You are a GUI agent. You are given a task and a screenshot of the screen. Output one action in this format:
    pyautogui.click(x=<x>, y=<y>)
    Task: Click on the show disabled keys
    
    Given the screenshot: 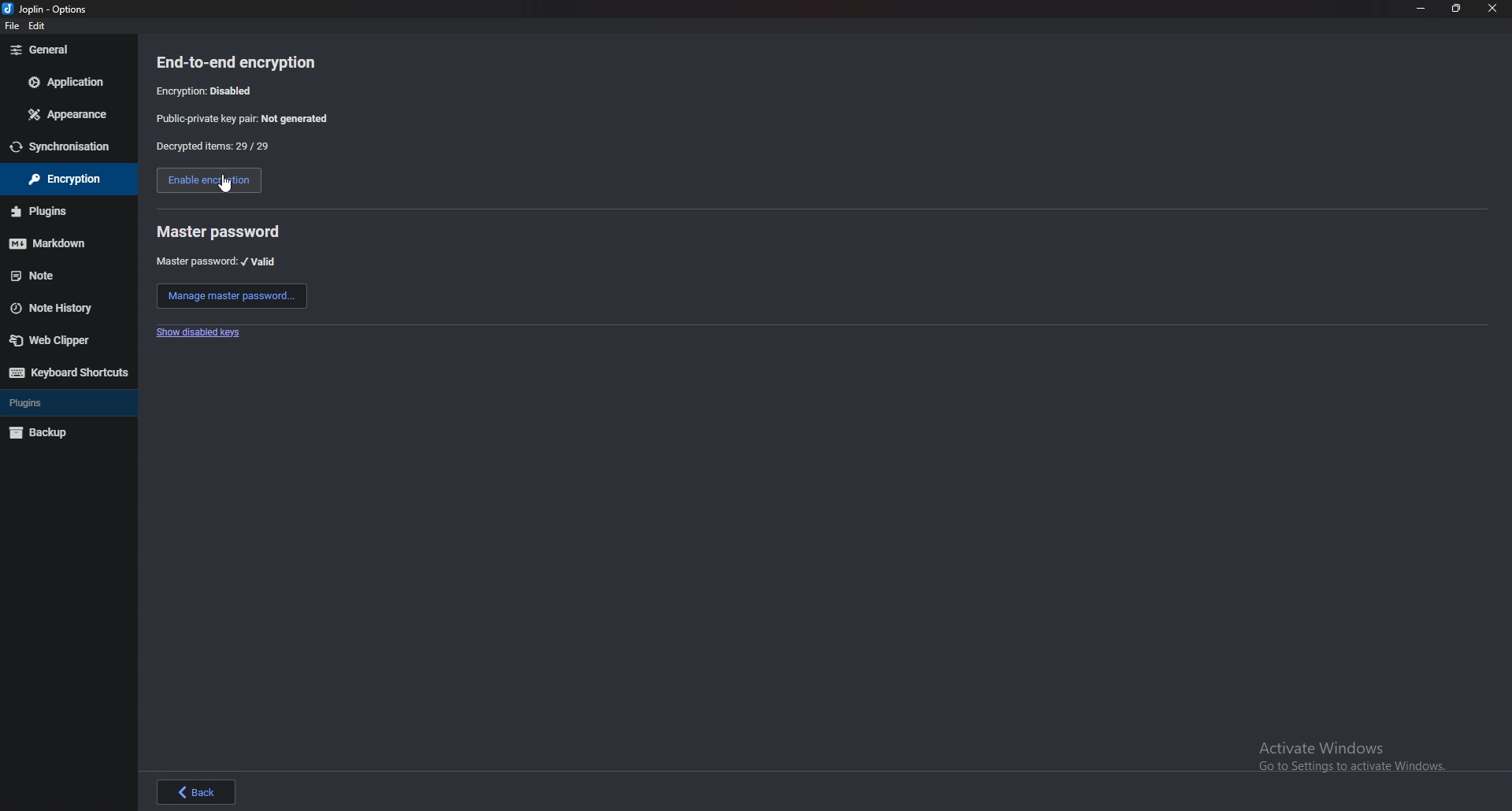 What is the action you would take?
    pyautogui.click(x=198, y=334)
    